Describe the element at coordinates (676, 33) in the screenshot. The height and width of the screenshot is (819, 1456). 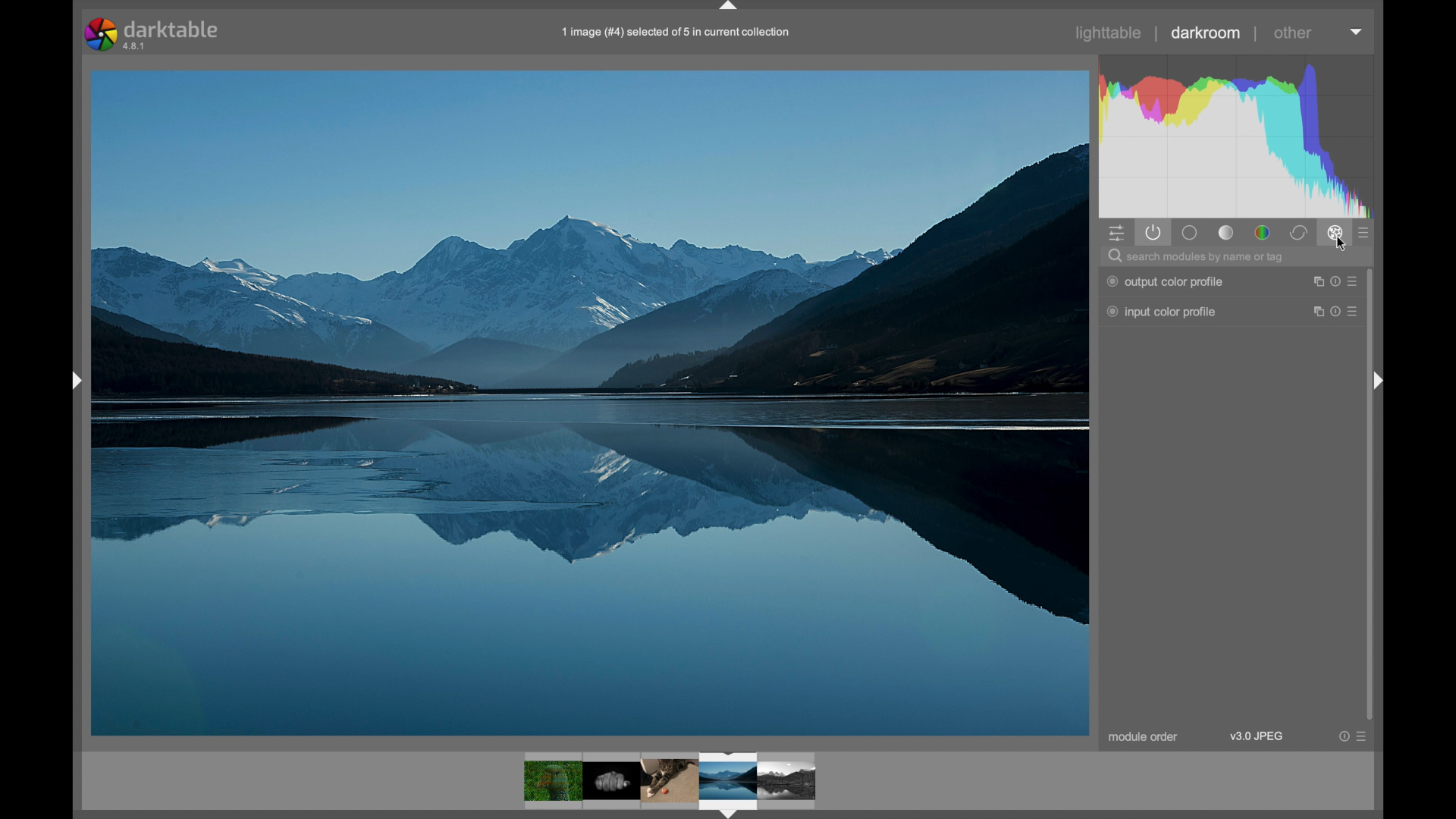
I see `1 image (#4) selected of 5 in current collection` at that location.